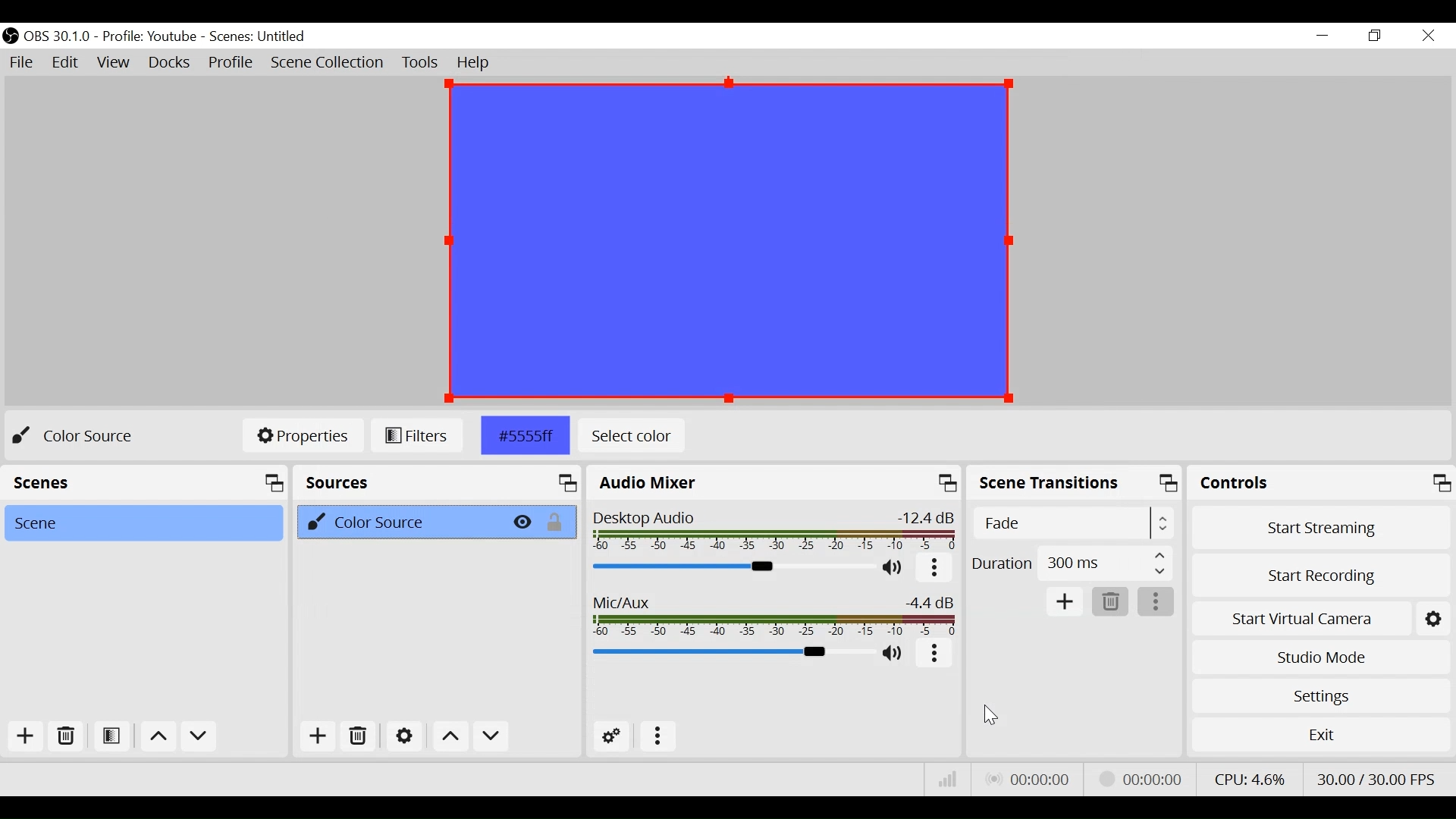 The width and height of the screenshot is (1456, 819). I want to click on Delete, so click(67, 736).